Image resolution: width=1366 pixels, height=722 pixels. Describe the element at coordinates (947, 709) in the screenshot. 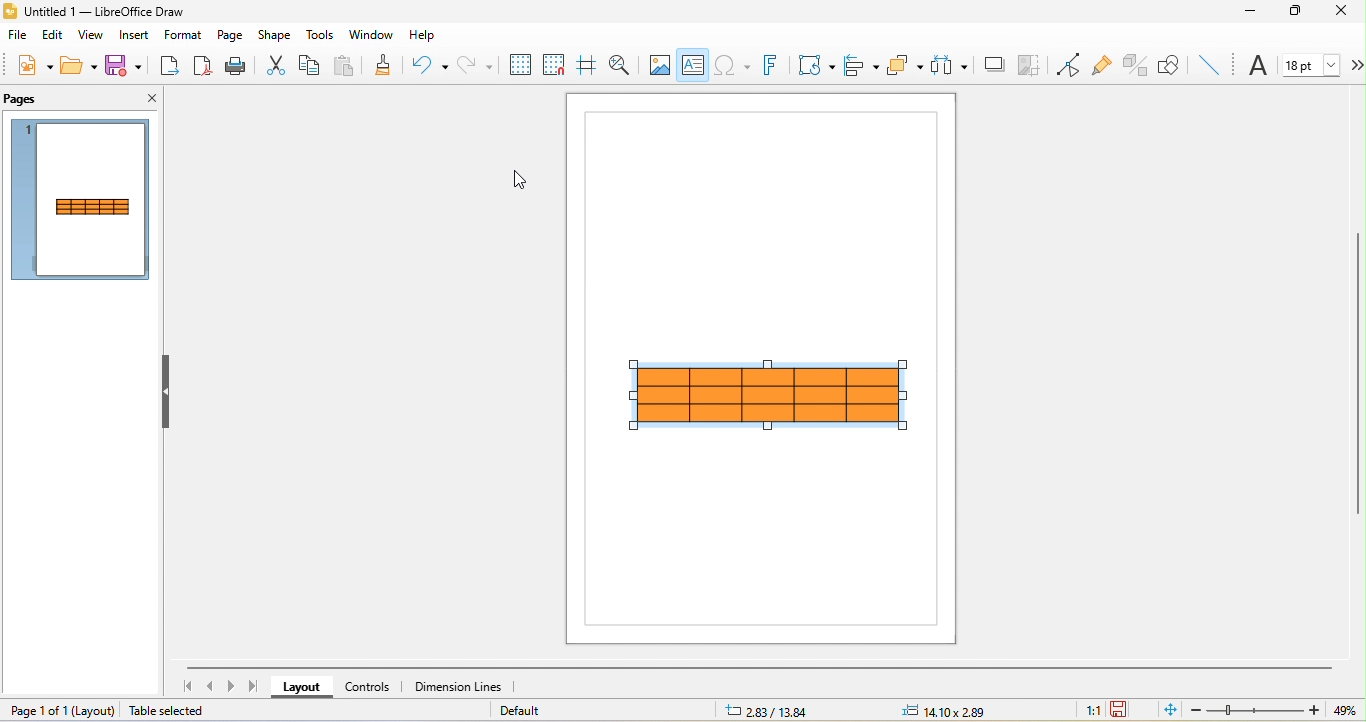

I see `14.10x2.89` at that location.